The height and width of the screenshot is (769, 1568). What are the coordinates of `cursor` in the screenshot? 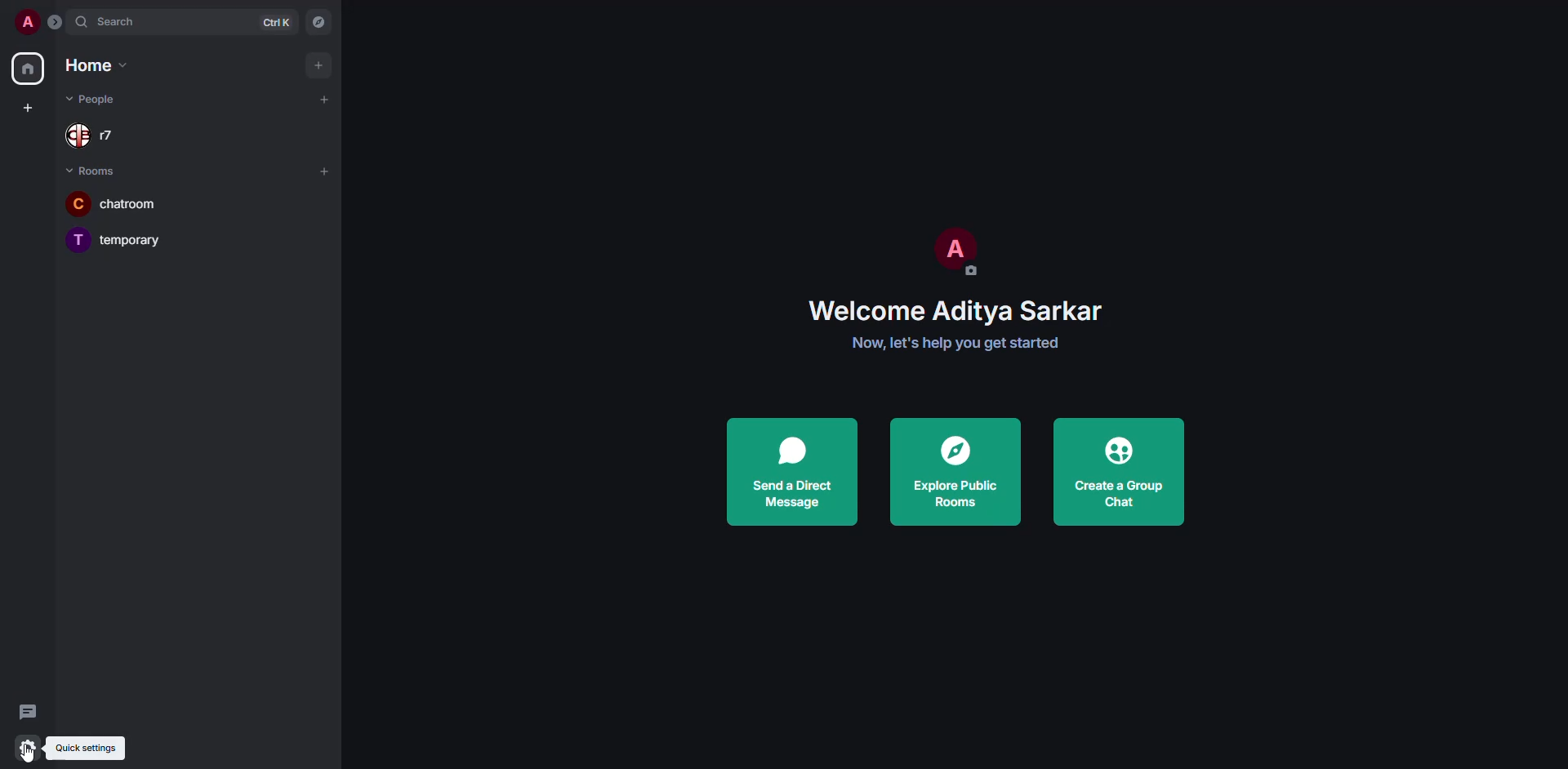 It's located at (31, 755).